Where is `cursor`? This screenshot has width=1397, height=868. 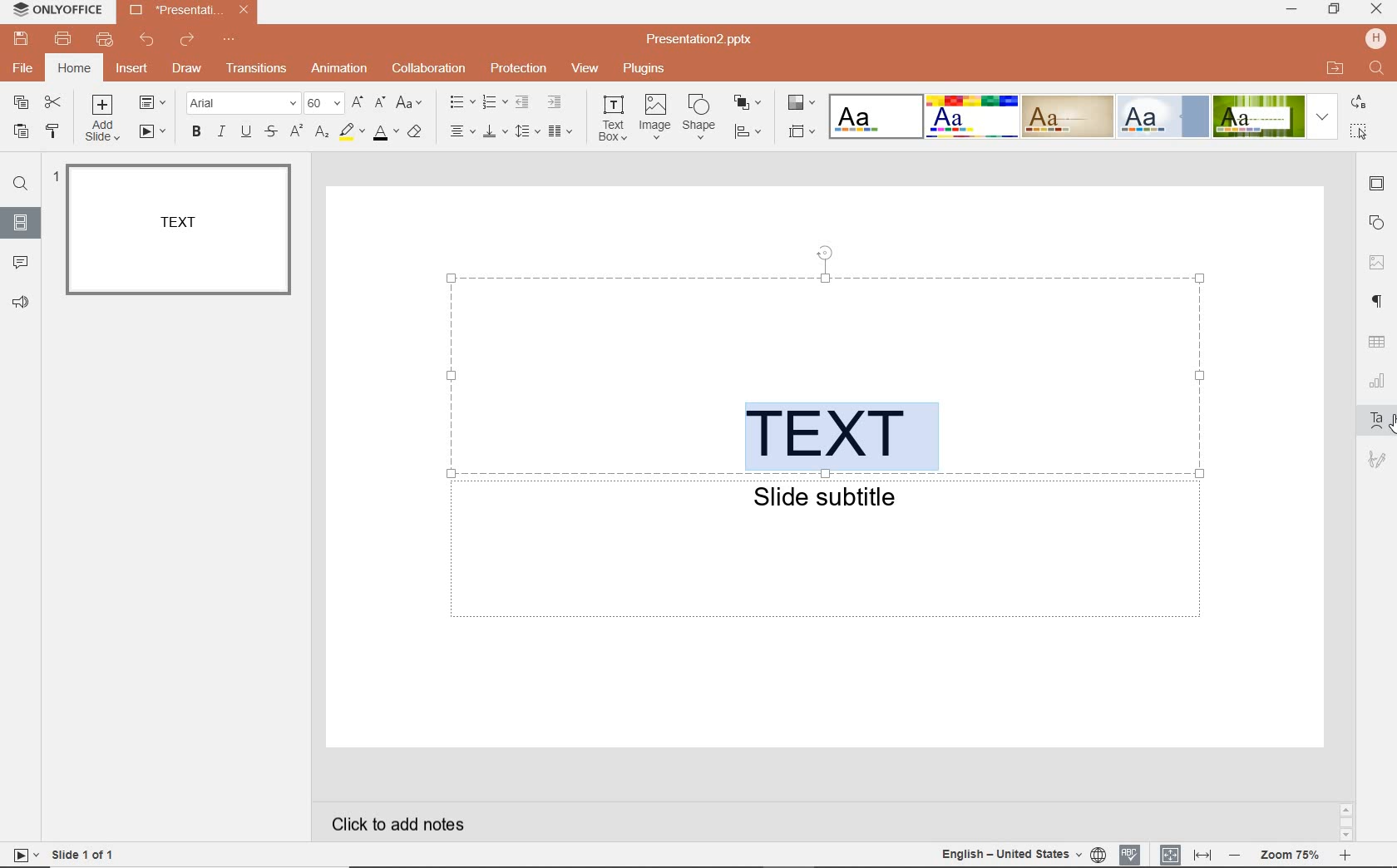
cursor is located at coordinates (1389, 423).